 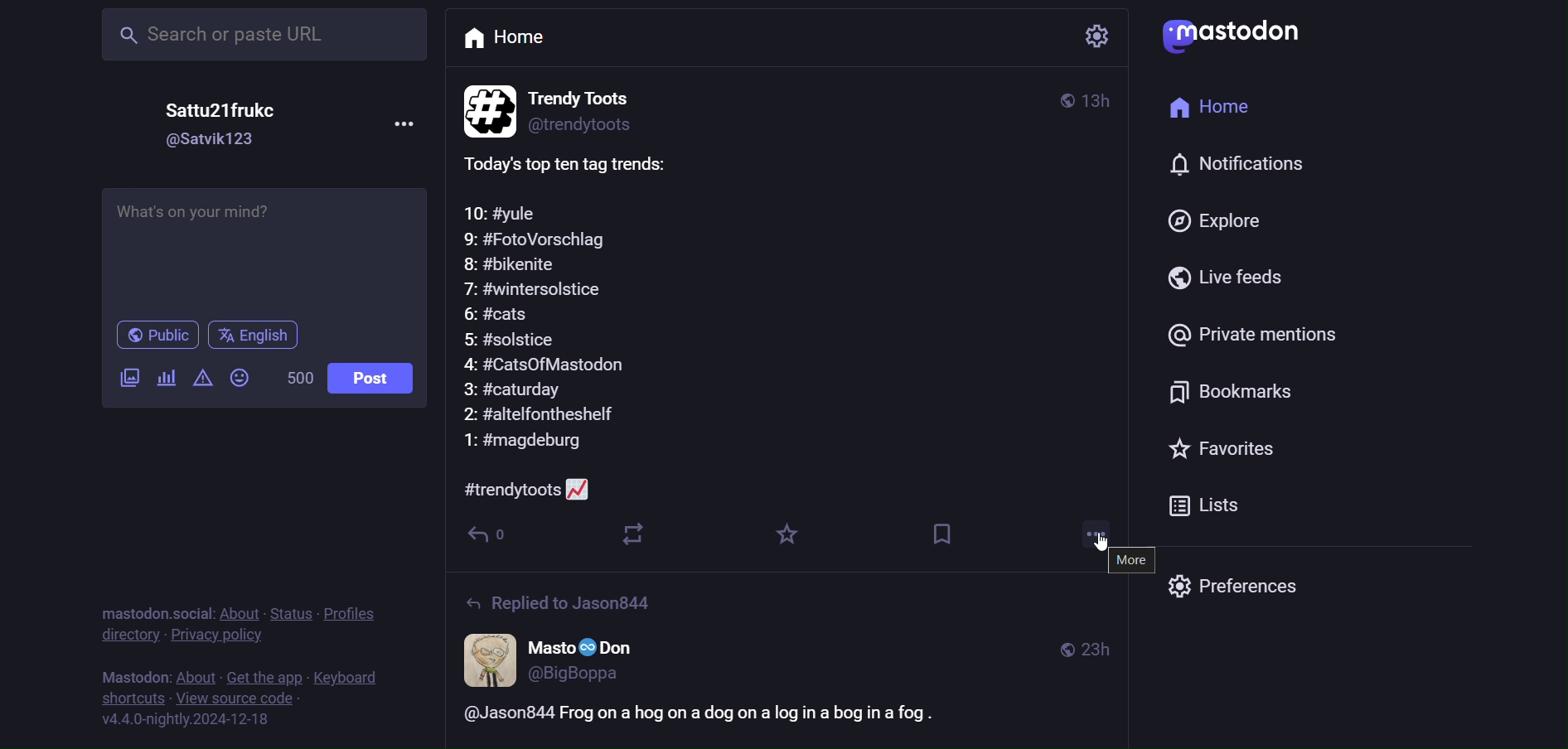 I want to click on global post, so click(x=1057, y=98).